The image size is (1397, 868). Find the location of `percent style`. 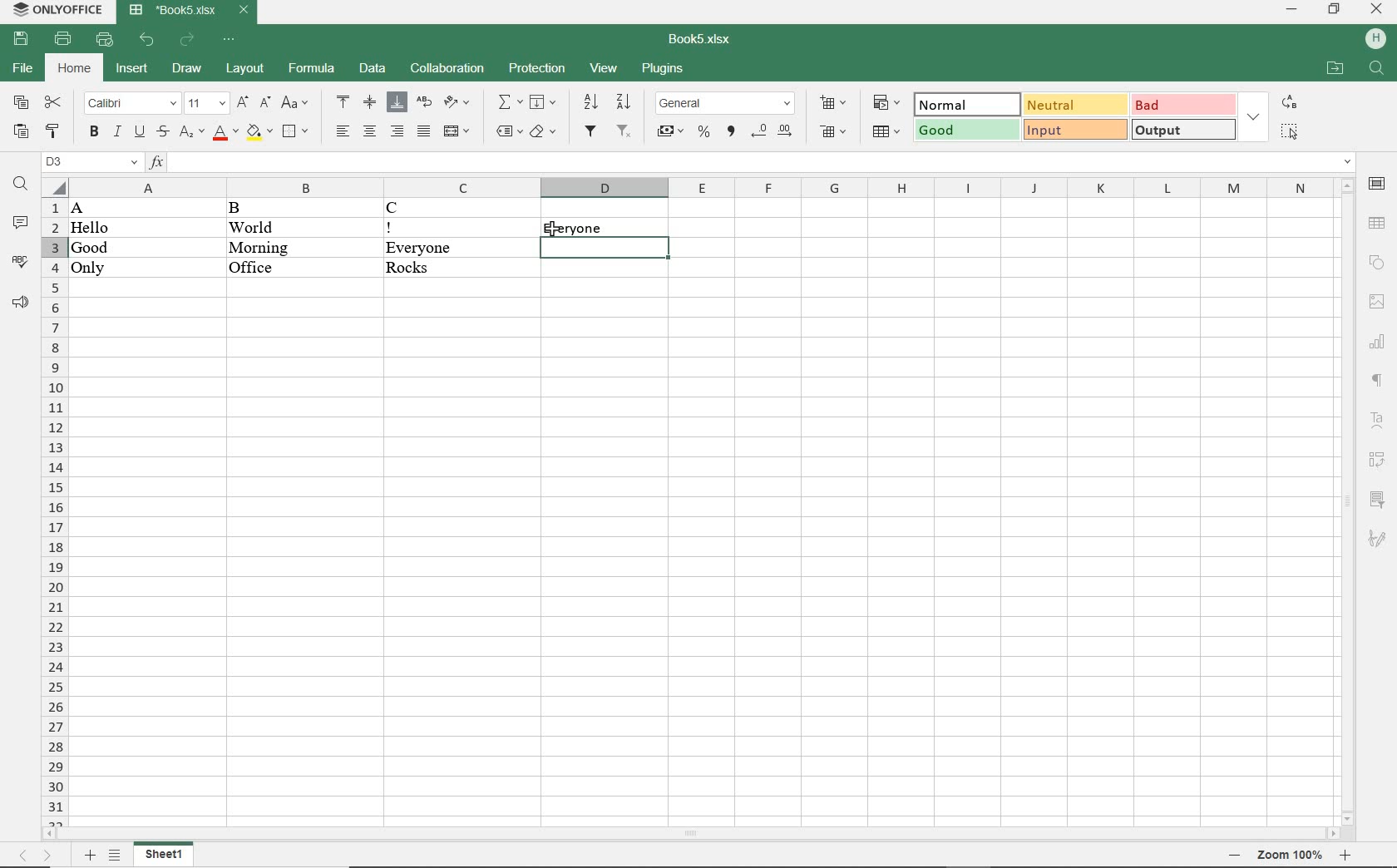

percent style is located at coordinates (703, 133).